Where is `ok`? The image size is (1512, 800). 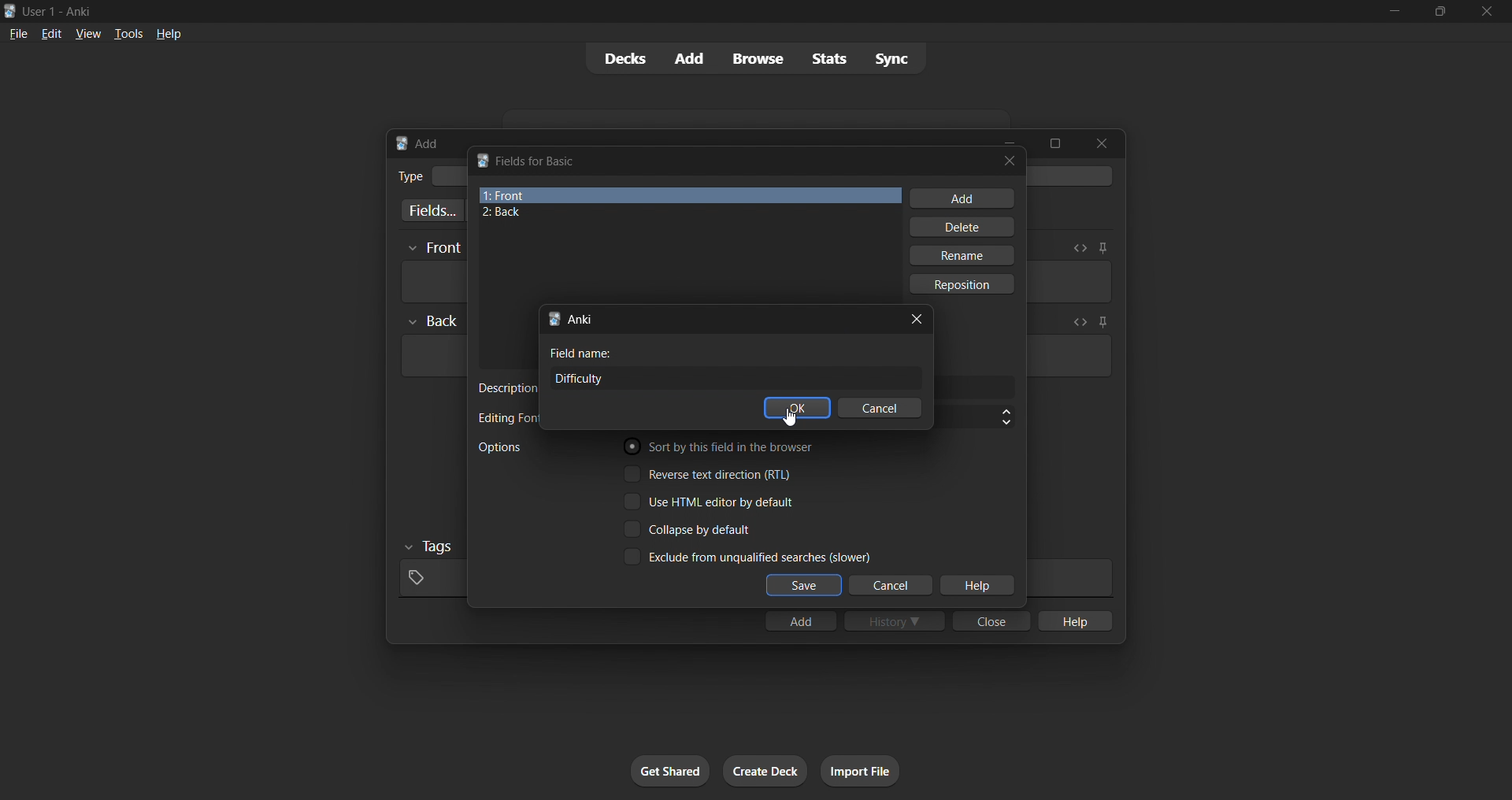
ok is located at coordinates (797, 407).